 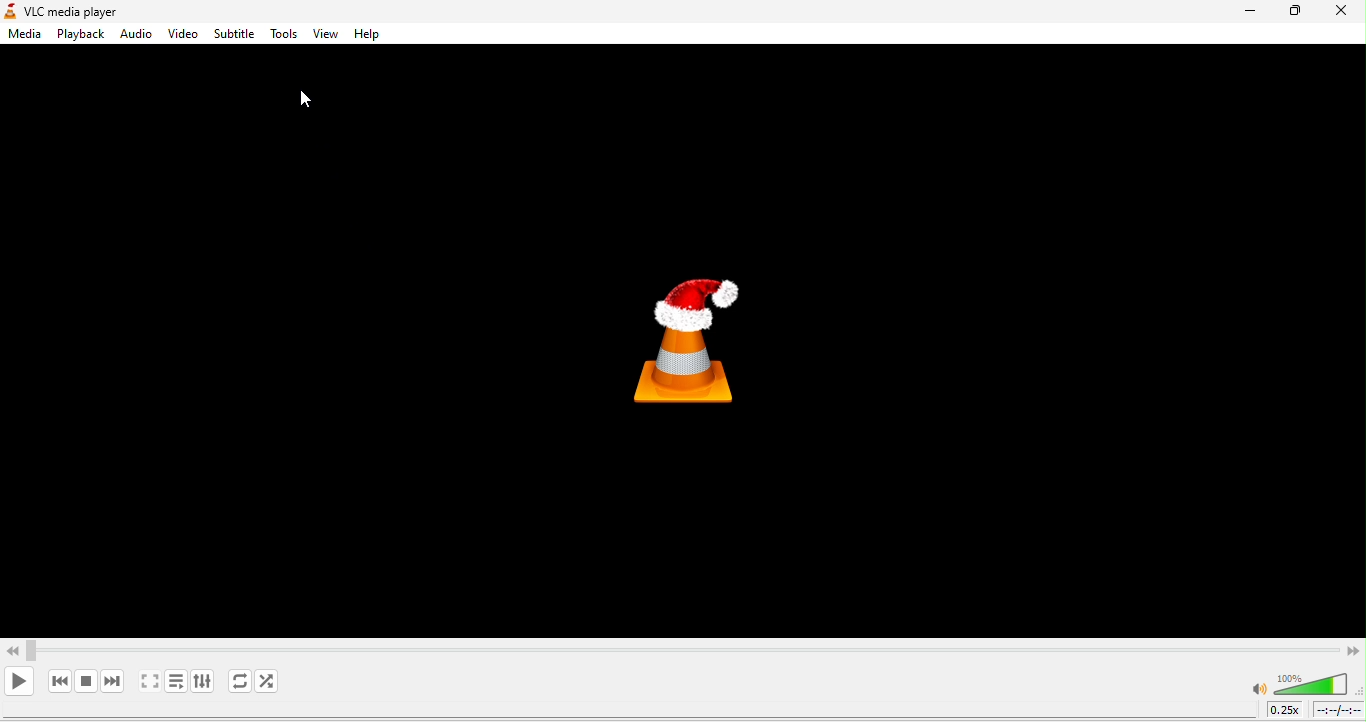 What do you see at coordinates (184, 34) in the screenshot?
I see `video` at bounding box center [184, 34].